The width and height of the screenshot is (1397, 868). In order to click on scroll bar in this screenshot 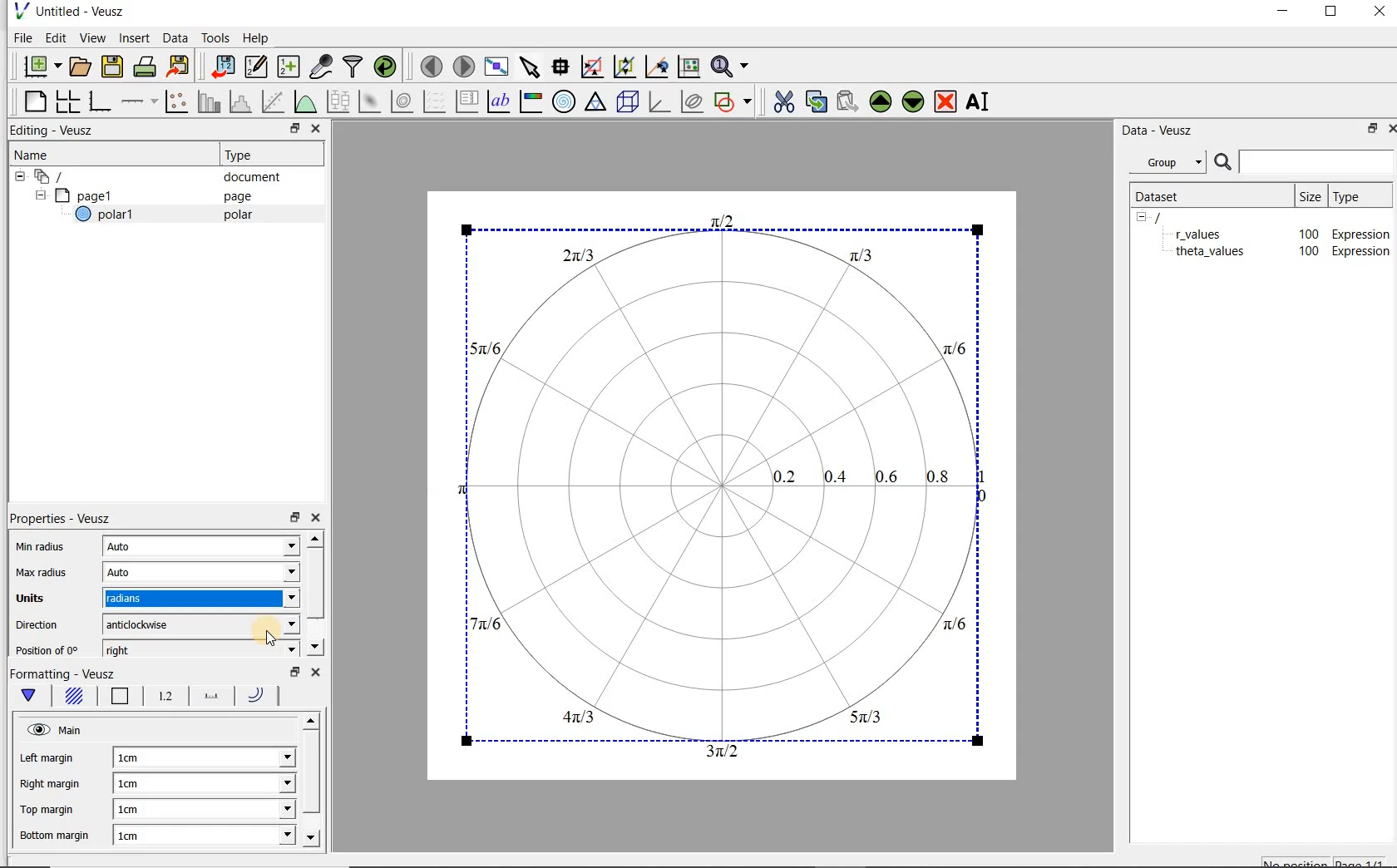, I will do `click(314, 786)`.